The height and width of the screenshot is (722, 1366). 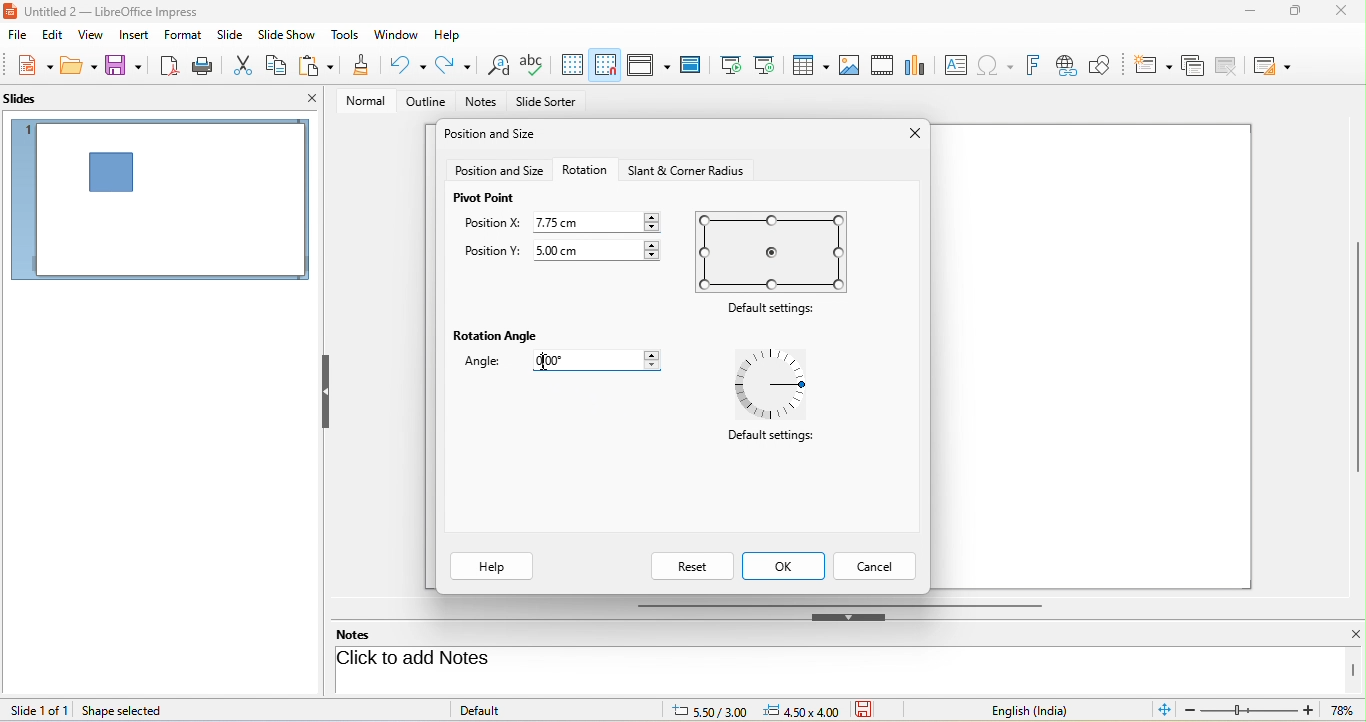 What do you see at coordinates (917, 64) in the screenshot?
I see `chart` at bounding box center [917, 64].